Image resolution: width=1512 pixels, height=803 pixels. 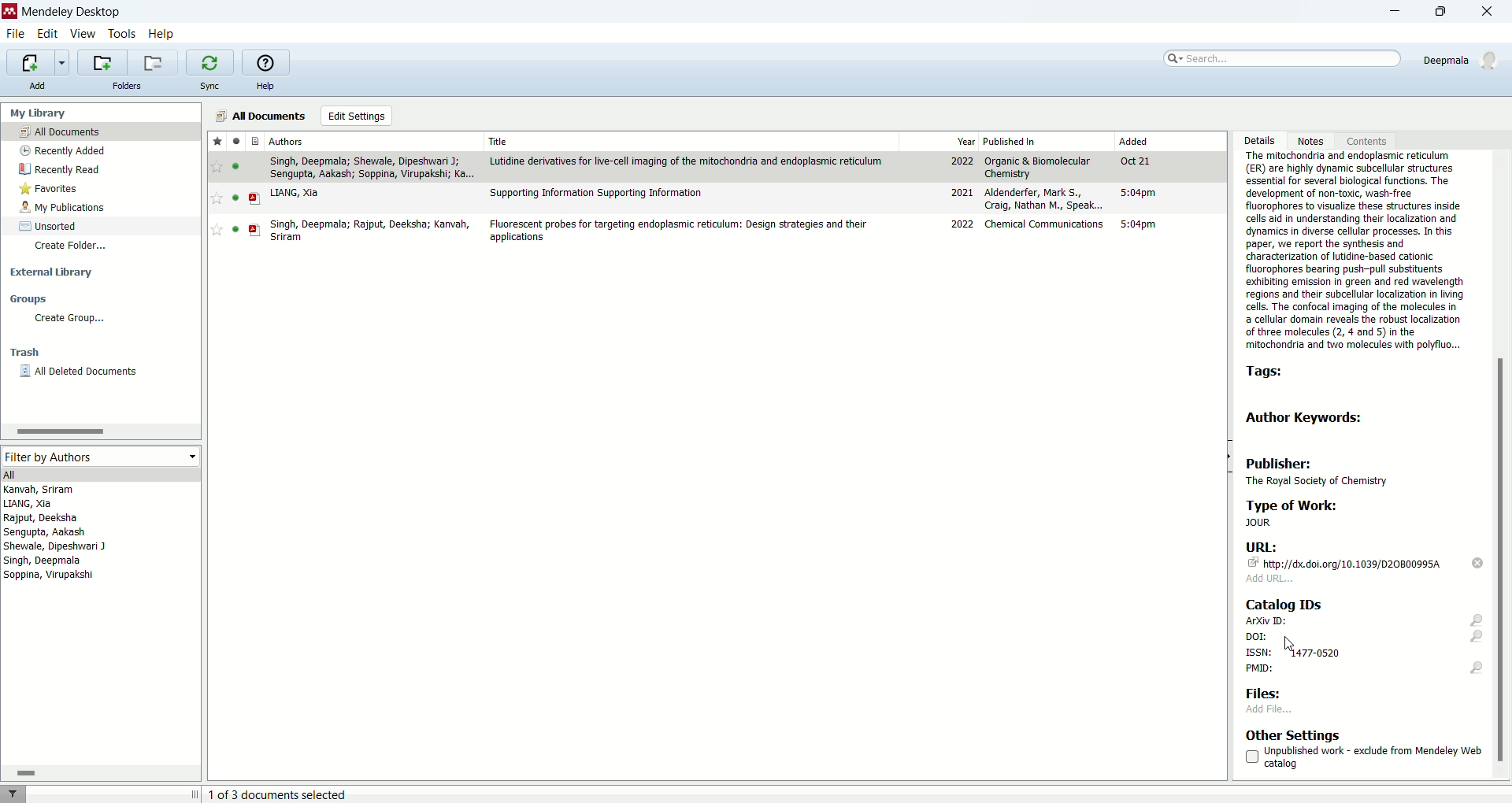 What do you see at coordinates (1270, 579) in the screenshot?
I see `add URL` at bounding box center [1270, 579].